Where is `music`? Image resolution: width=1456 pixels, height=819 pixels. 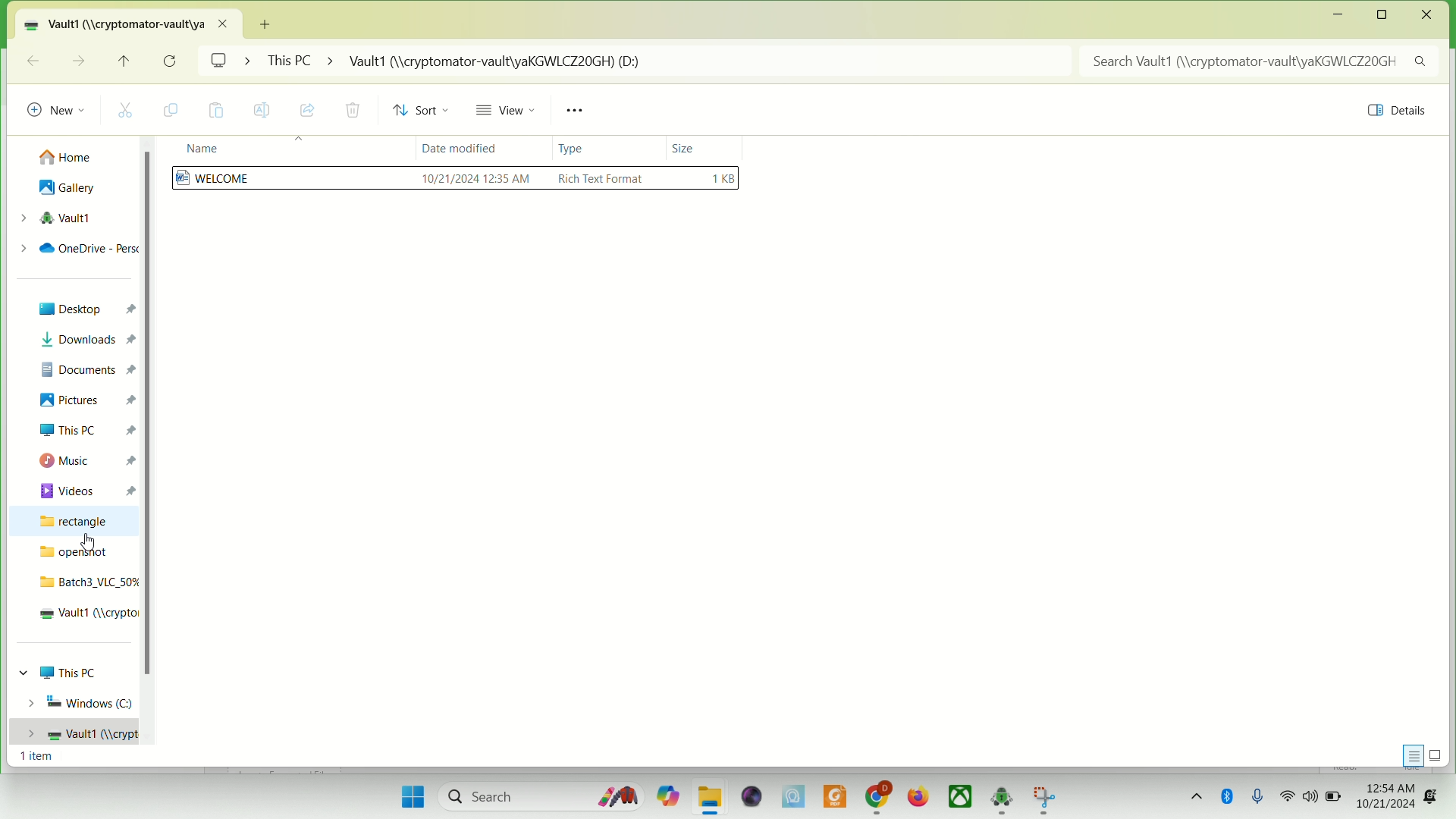
music is located at coordinates (88, 461).